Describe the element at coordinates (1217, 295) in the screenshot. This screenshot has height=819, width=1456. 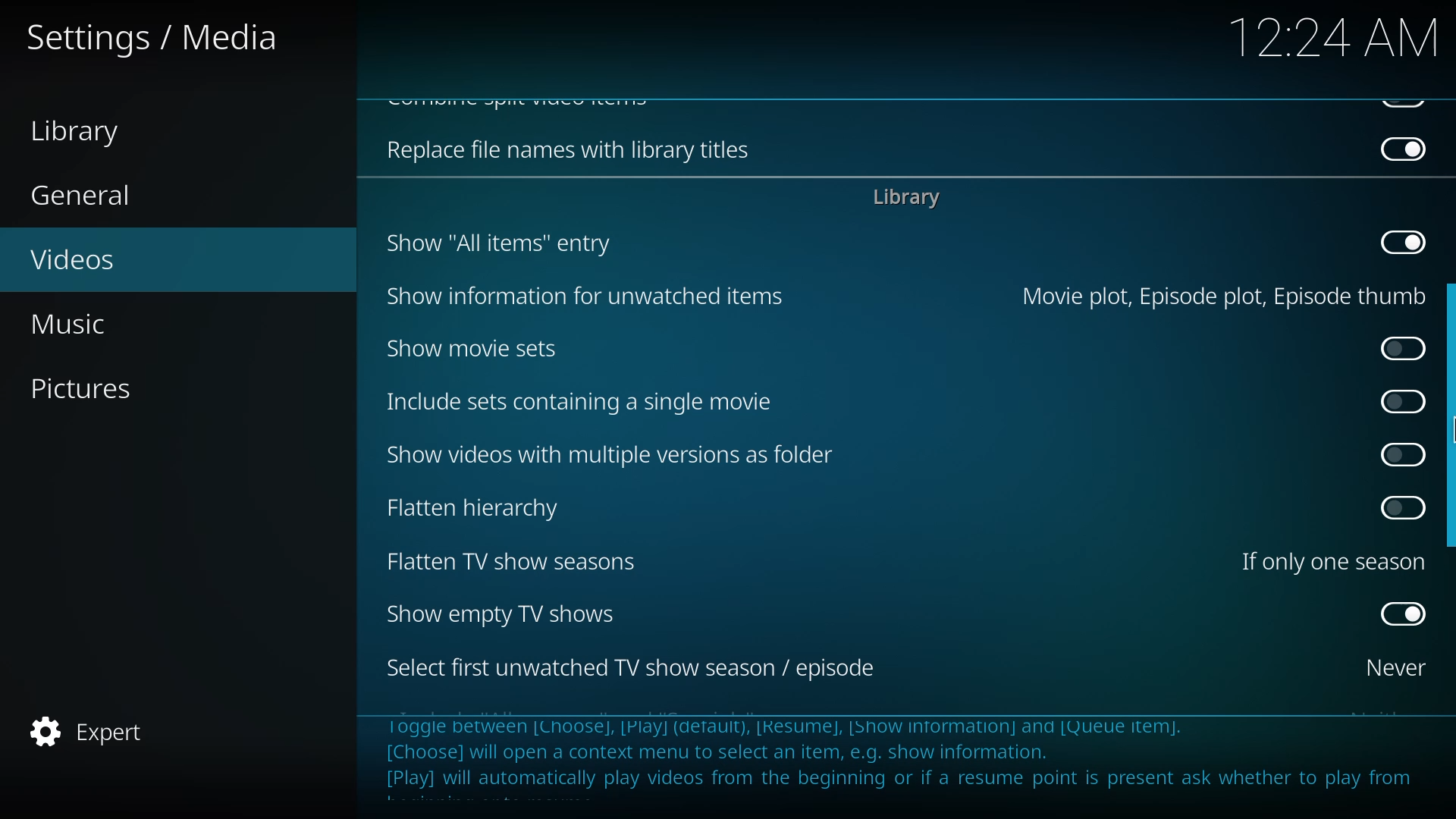
I see `movie plot` at that location.